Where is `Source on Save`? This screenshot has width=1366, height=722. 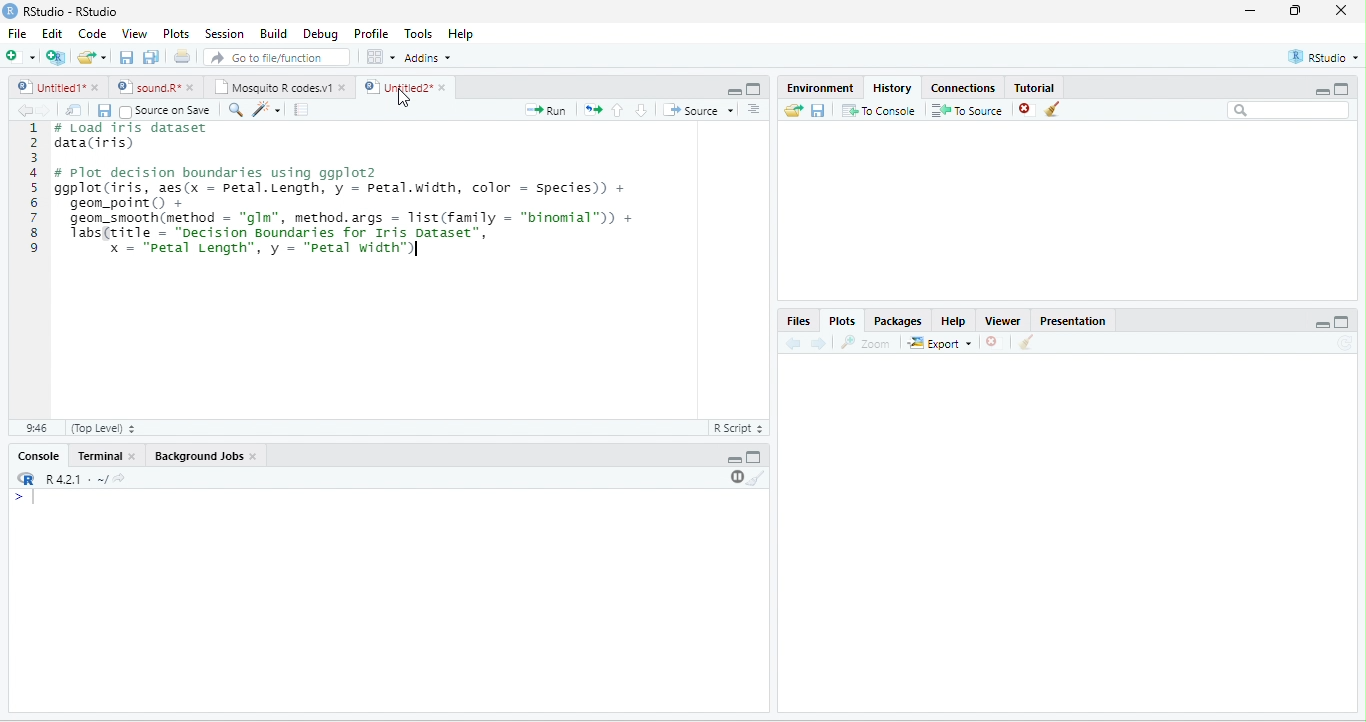
Source on Save is located at coordinates (164, 111).